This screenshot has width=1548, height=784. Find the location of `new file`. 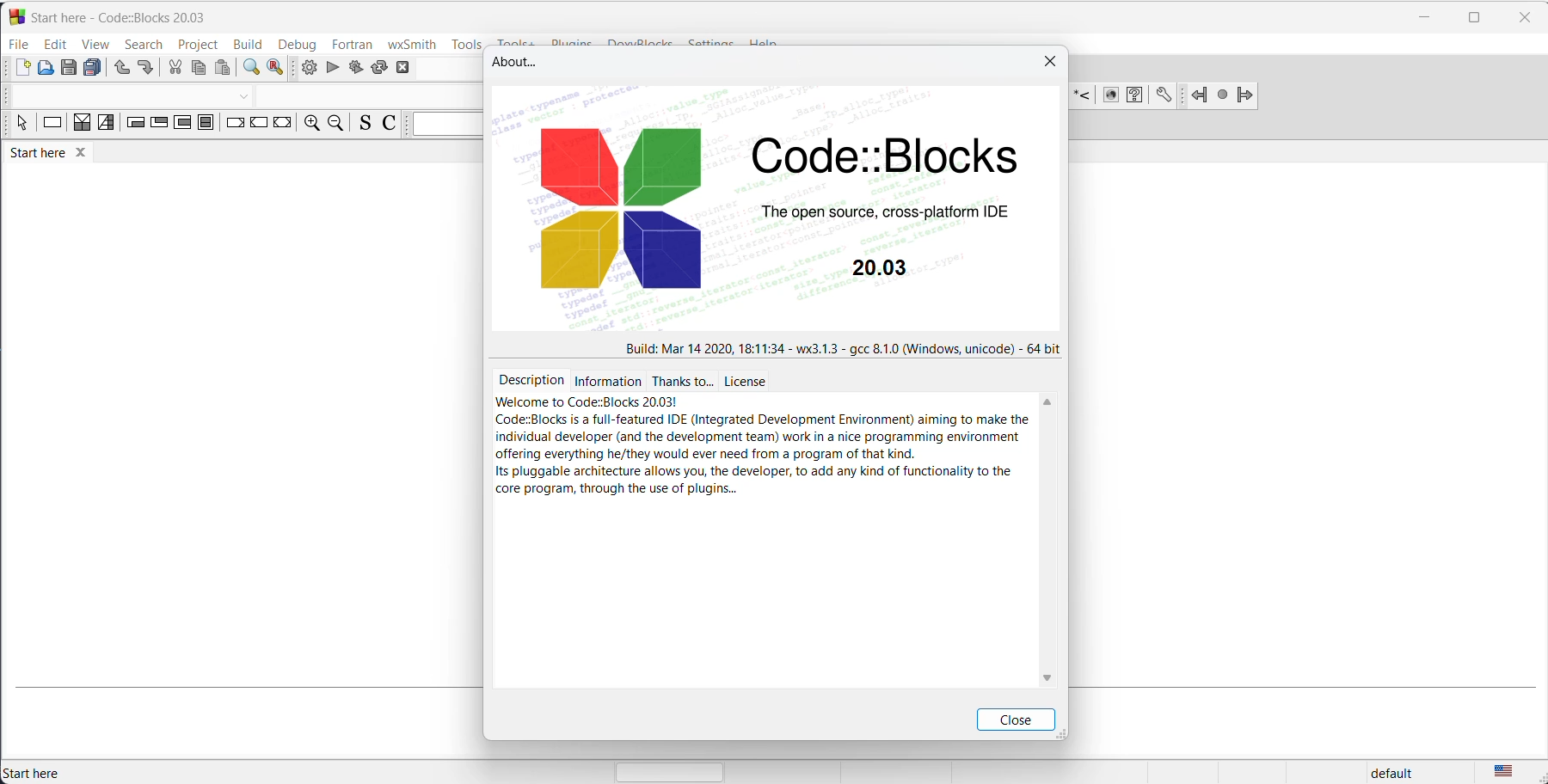

new file is located at coordinates (19, 70).